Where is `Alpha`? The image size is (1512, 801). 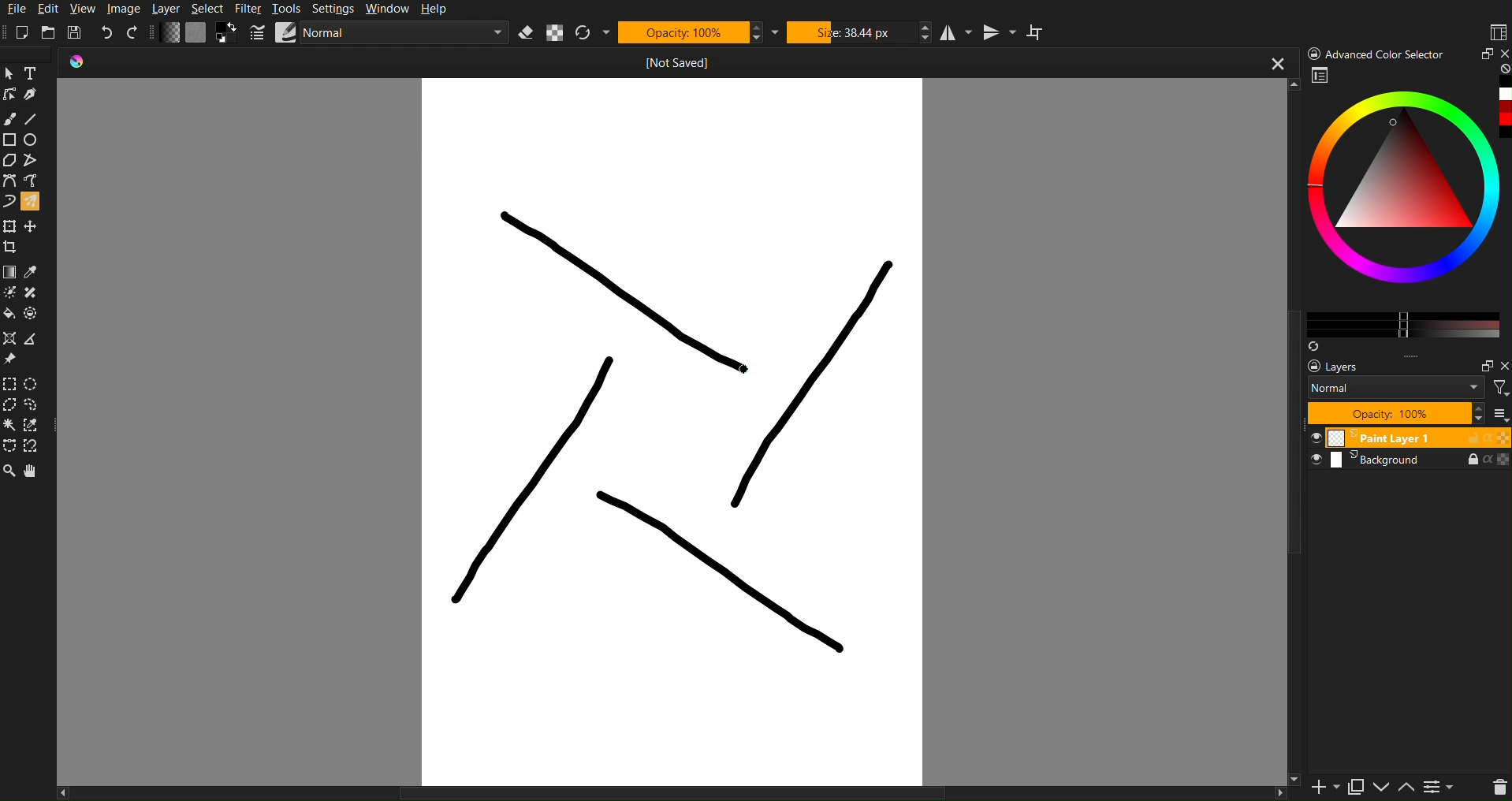
Alpha is located at coordinates (560, 34).